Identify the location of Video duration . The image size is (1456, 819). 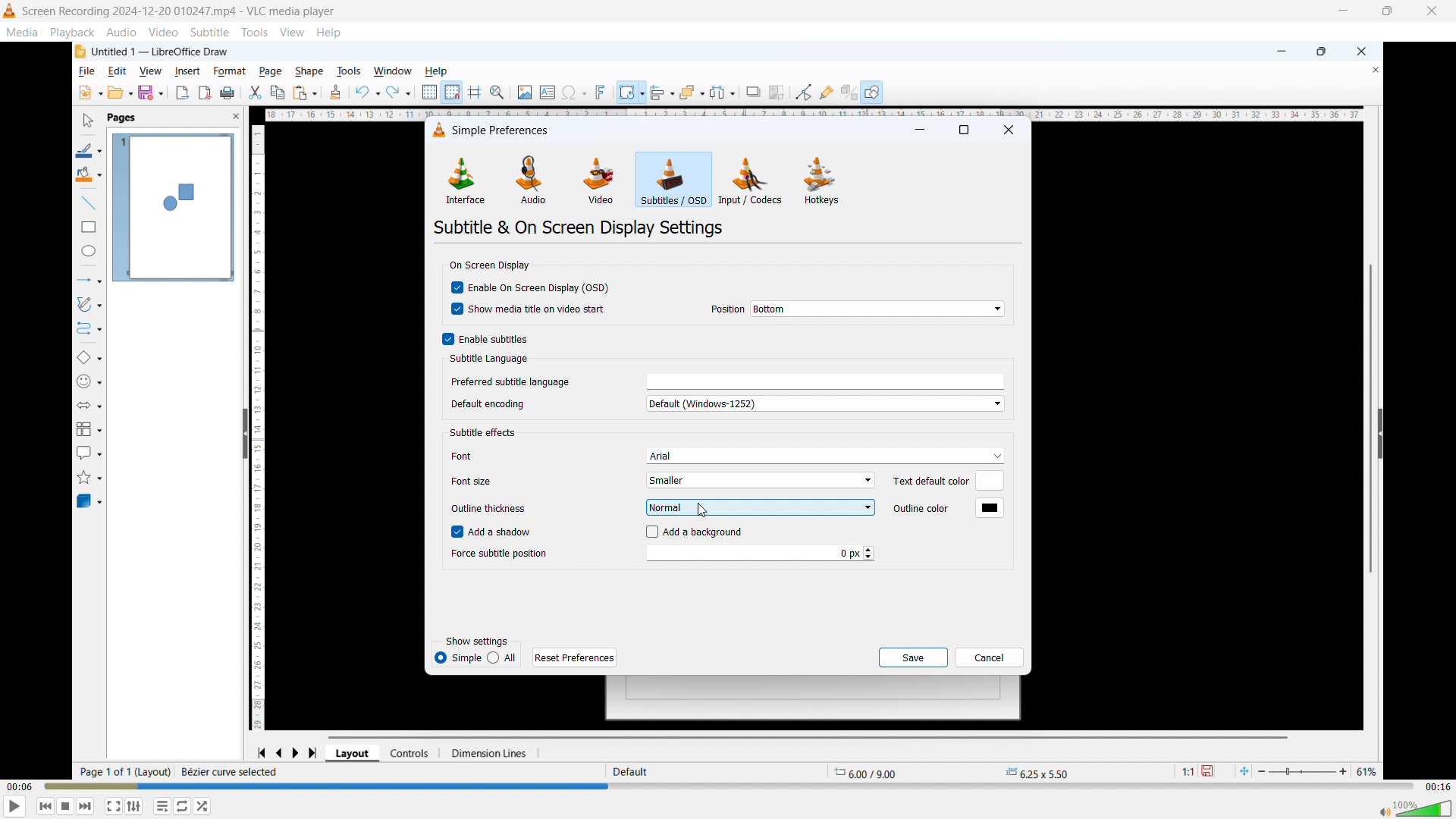
(1438, 787).